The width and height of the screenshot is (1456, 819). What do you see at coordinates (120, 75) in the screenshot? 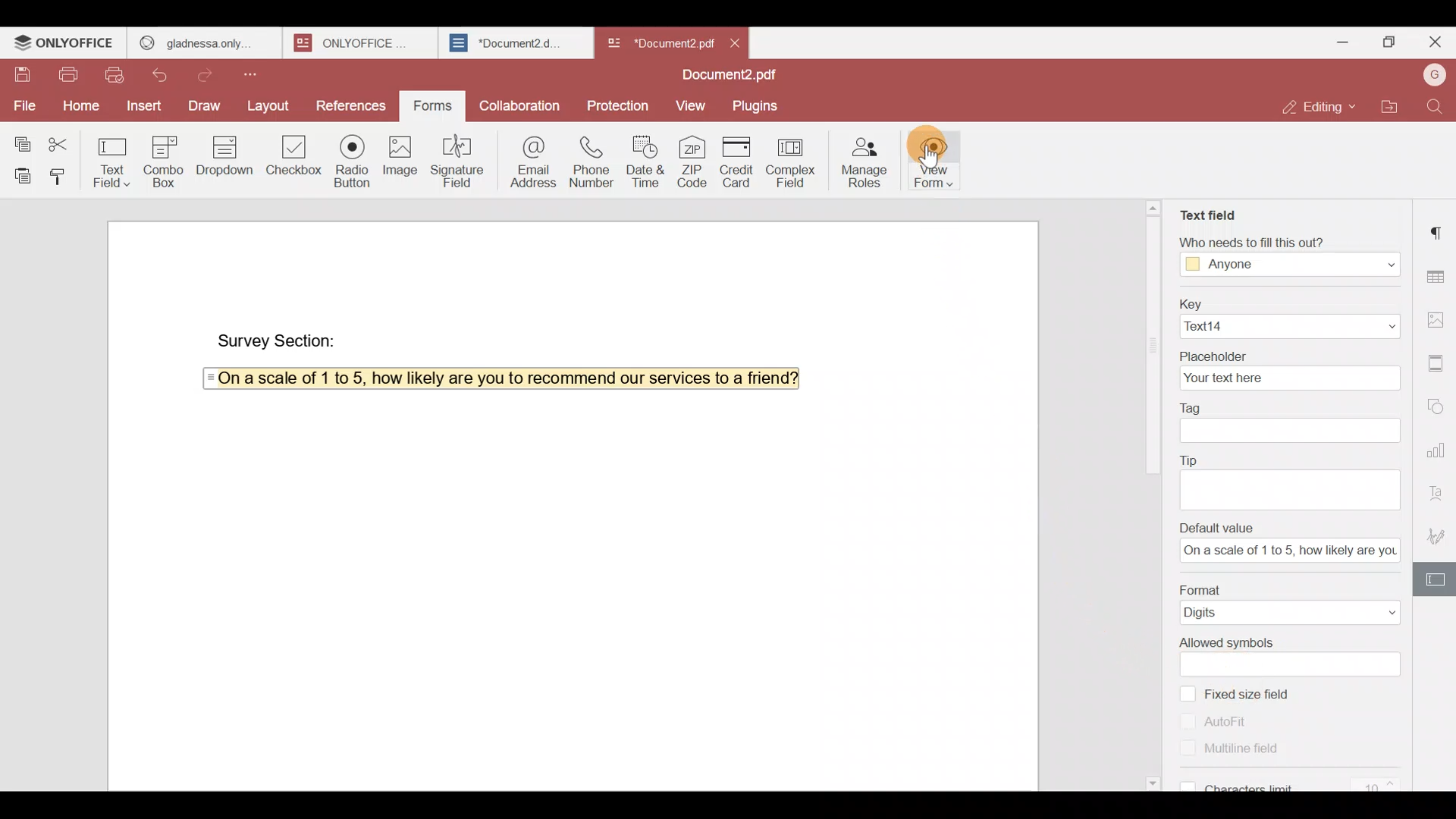
I see `Quick print` at bounding box center [120, 75].